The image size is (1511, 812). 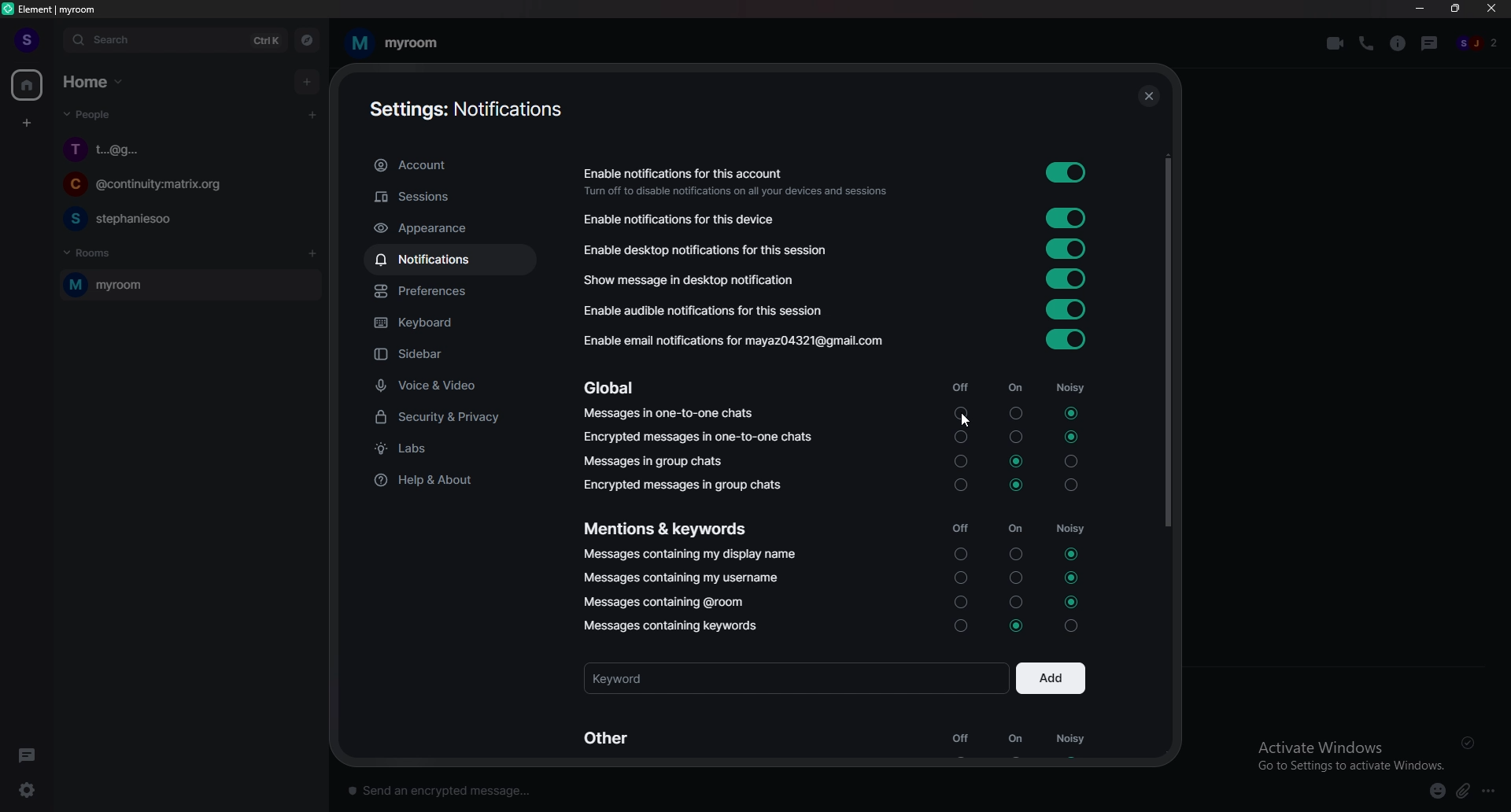 What do you see at coordinates (1068, 504) in the screenshot?
I see `noisy` at bounding box center [1068, 504].